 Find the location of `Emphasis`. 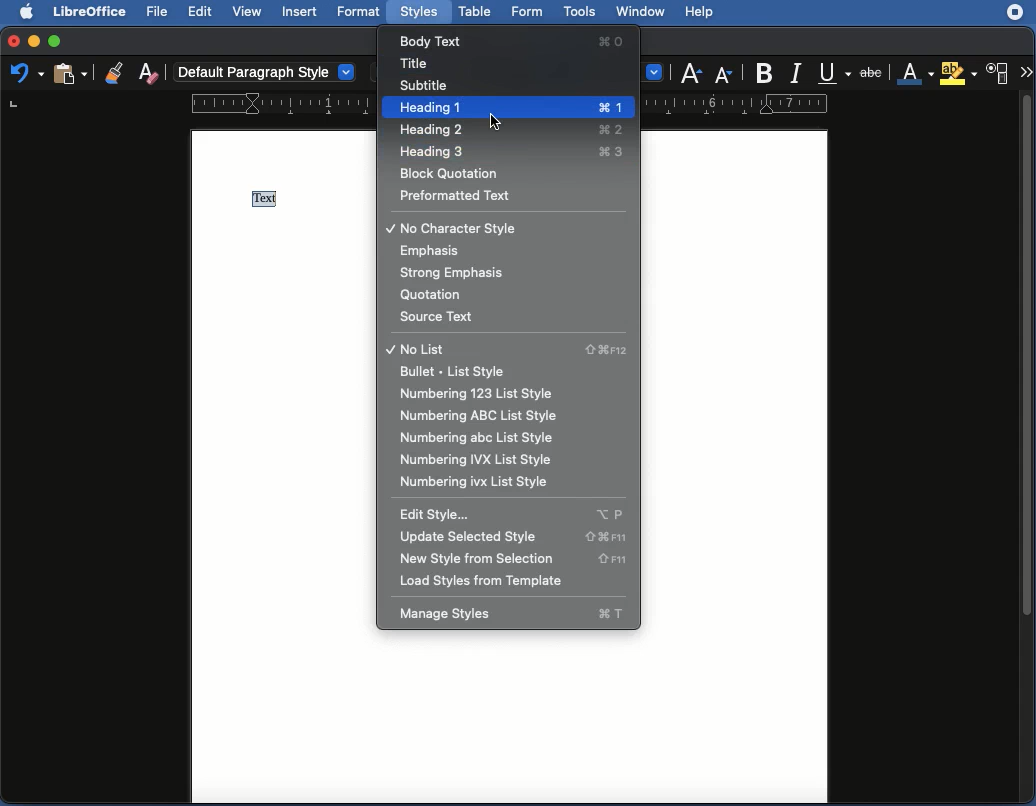

Emphasis is located at coordinates (433, 250).